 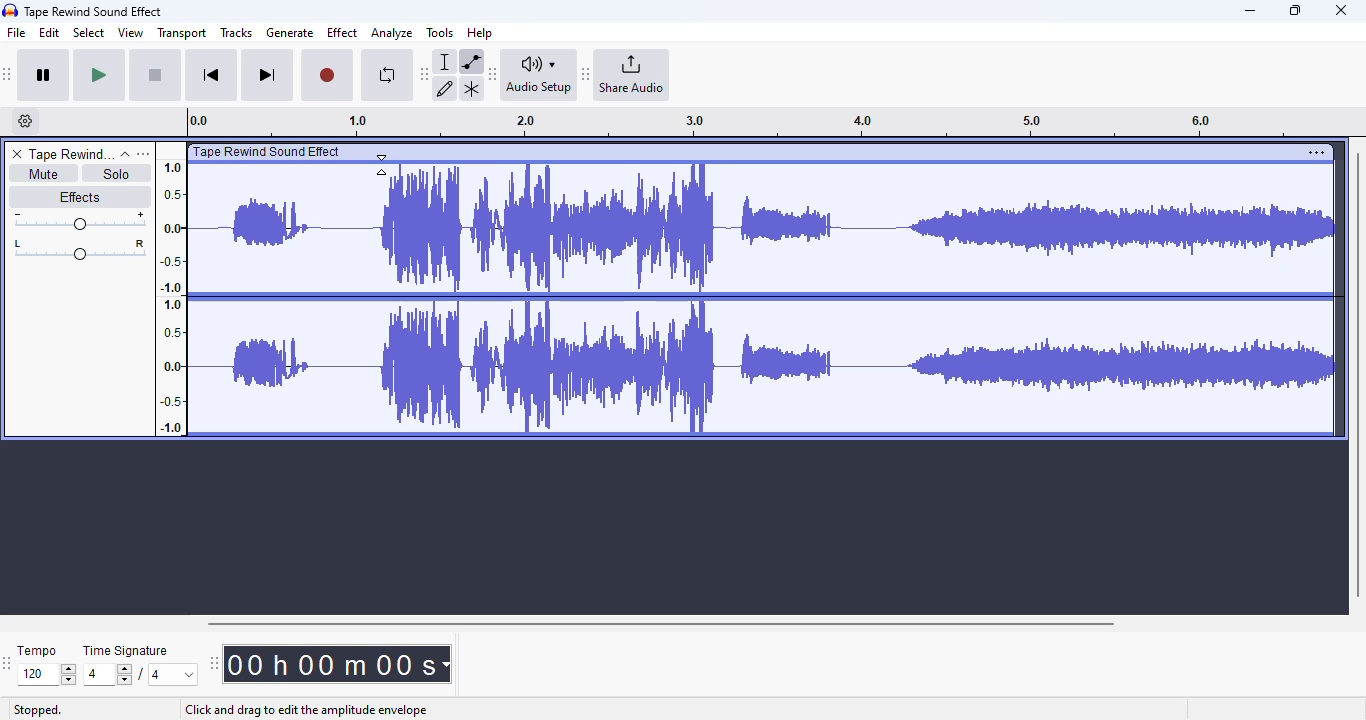 I want to click on Change volume, so click(x=79, y=221).